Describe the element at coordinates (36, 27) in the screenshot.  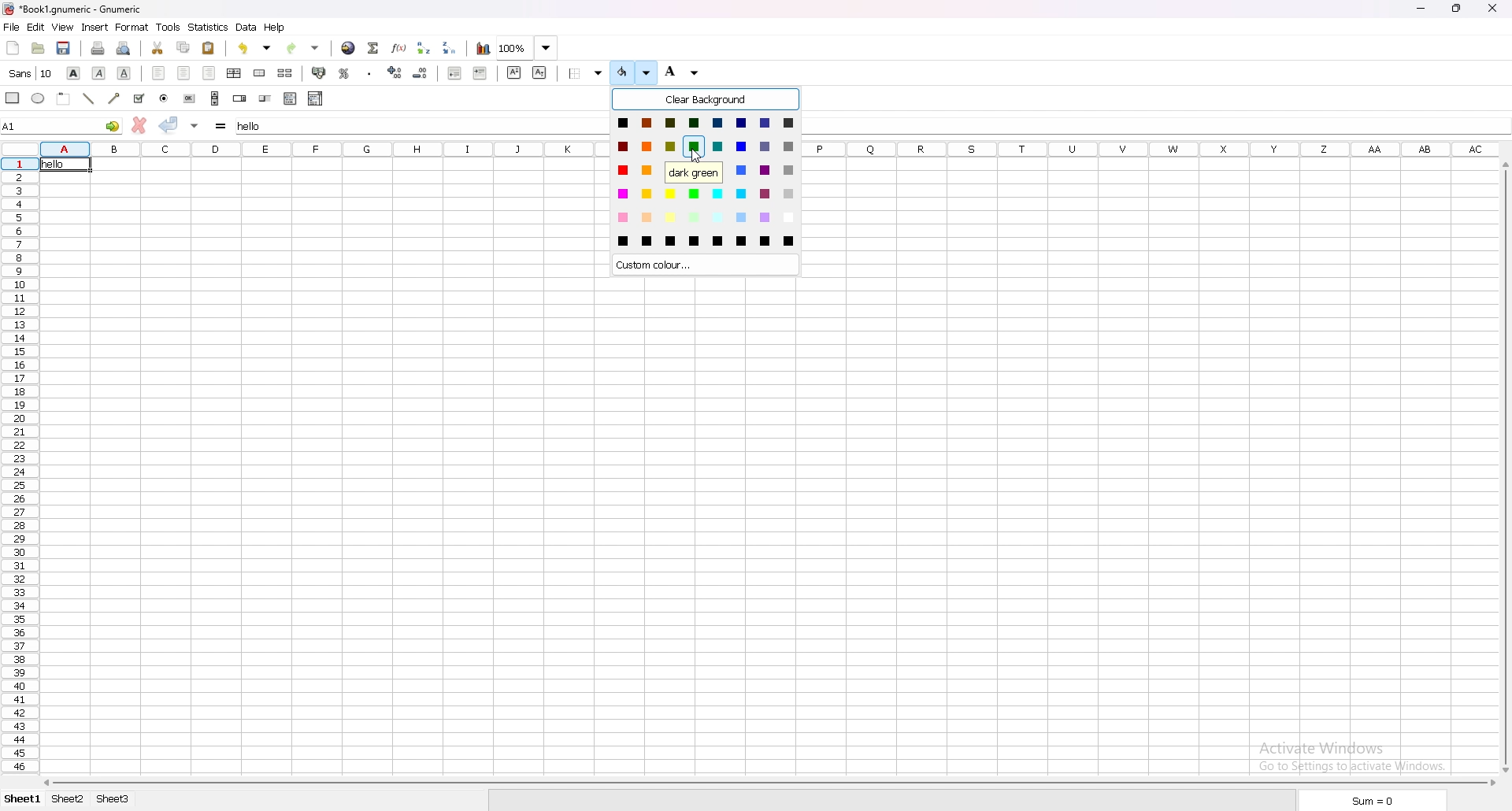
I see `edit` at that location.